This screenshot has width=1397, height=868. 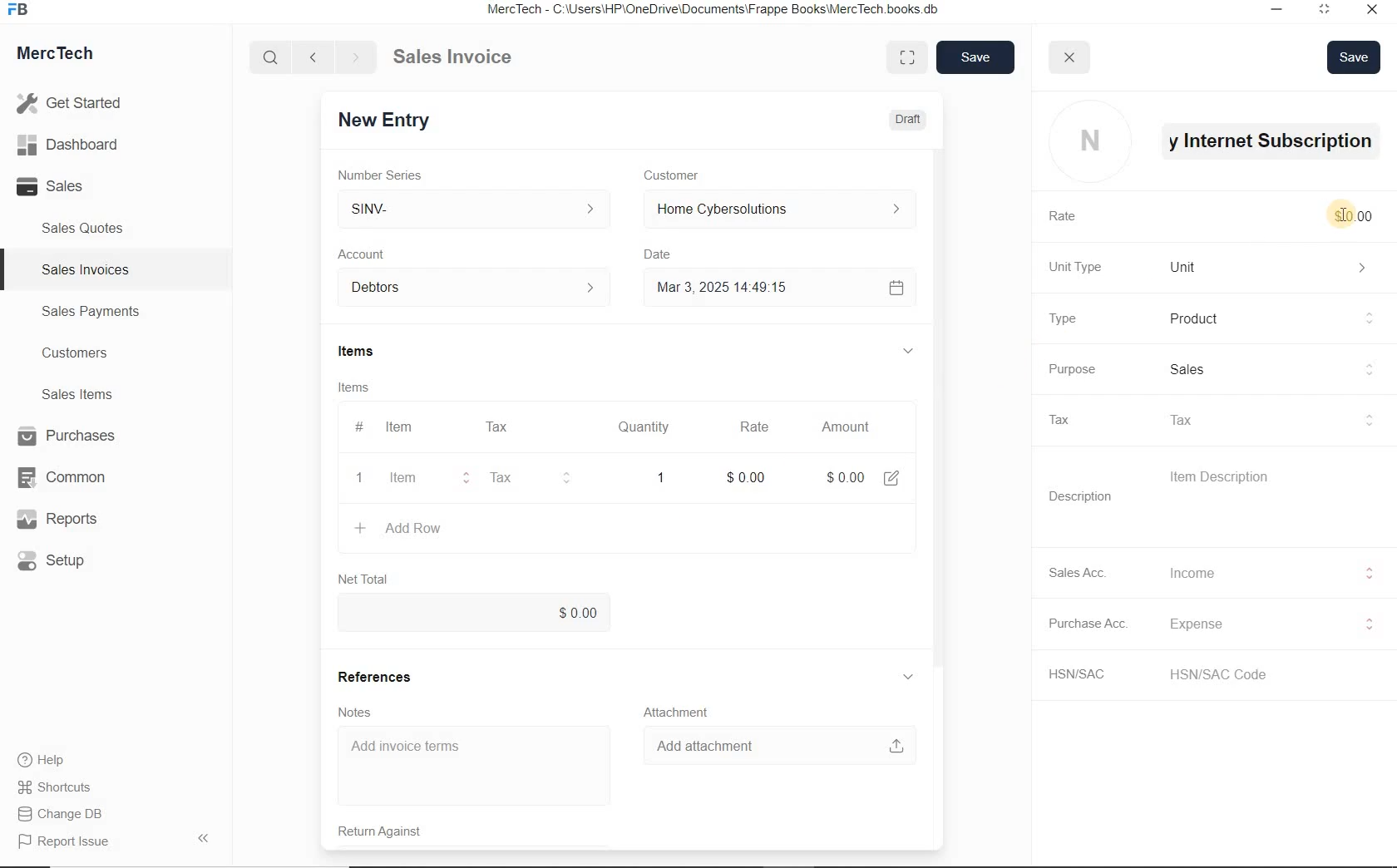 What do you see at coordinates (680, 175) in the screenshot?
I see `Customer` at bounding box center [680, 175].